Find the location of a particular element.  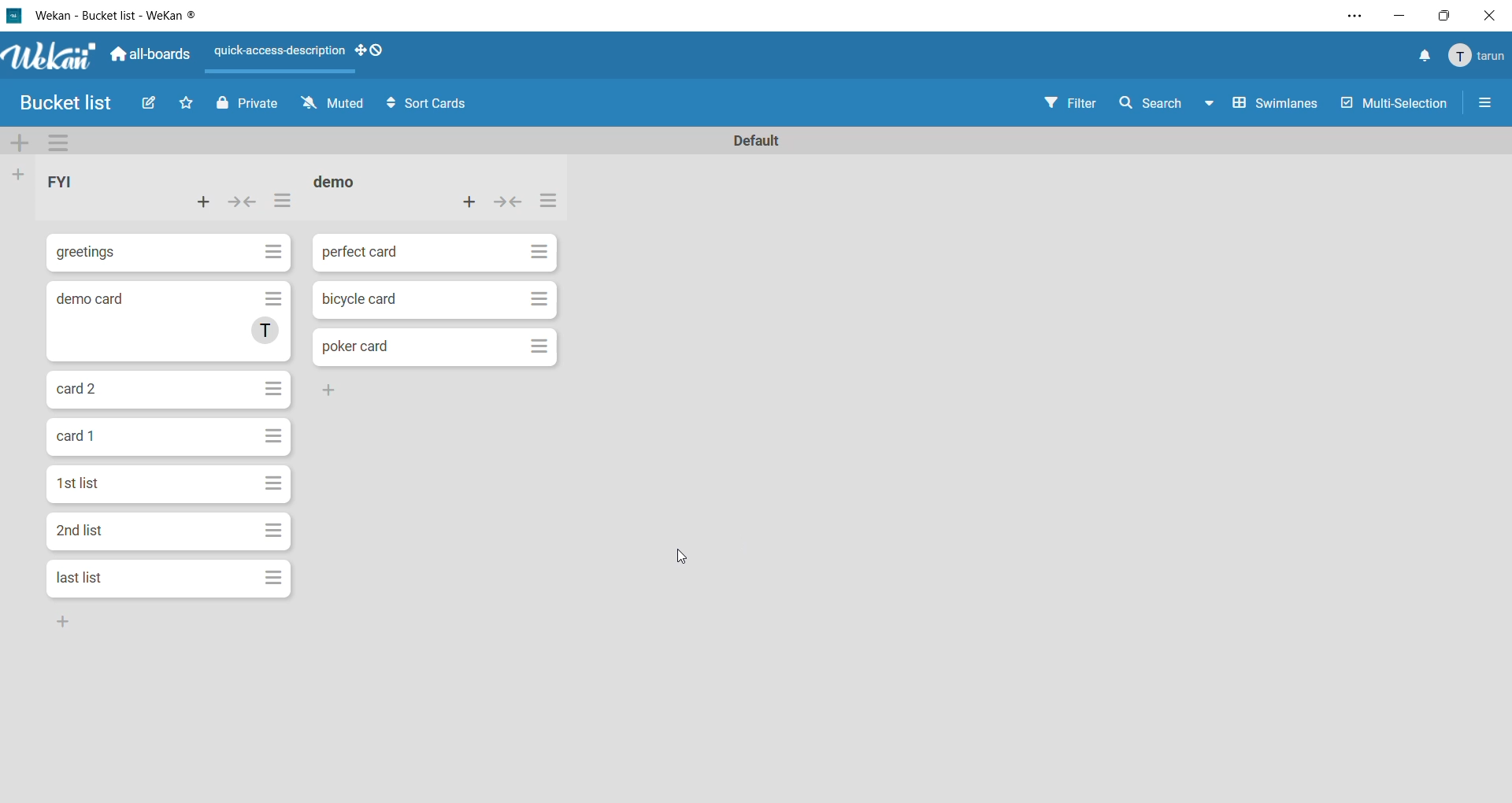

add card is located at coordinates (467, 208).